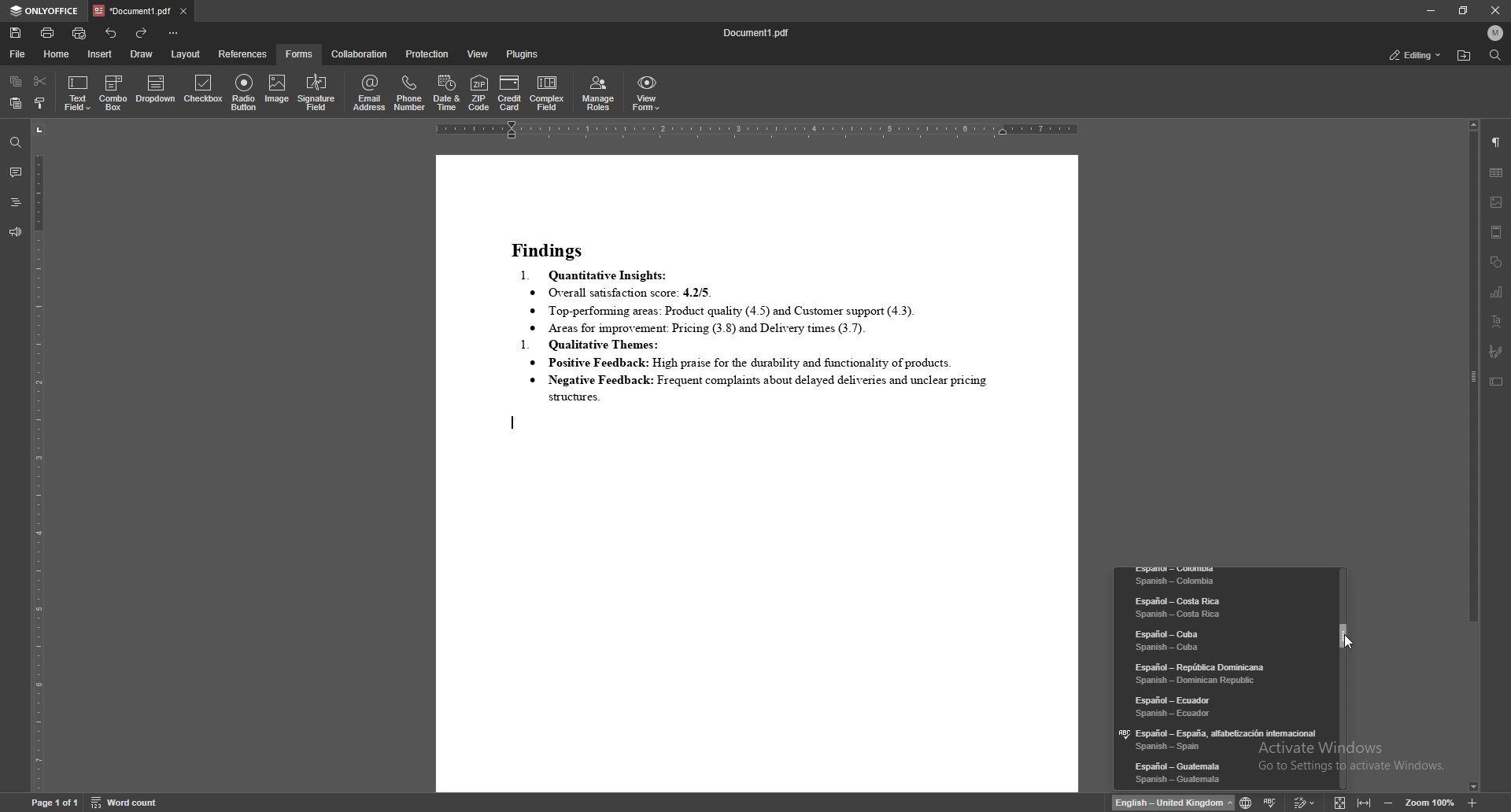 Image resolution: width=1511 pixels, height=812 pixels. Describe the element at coordinates (1173, 803) in the screenshot. I see `change text language` at that location.